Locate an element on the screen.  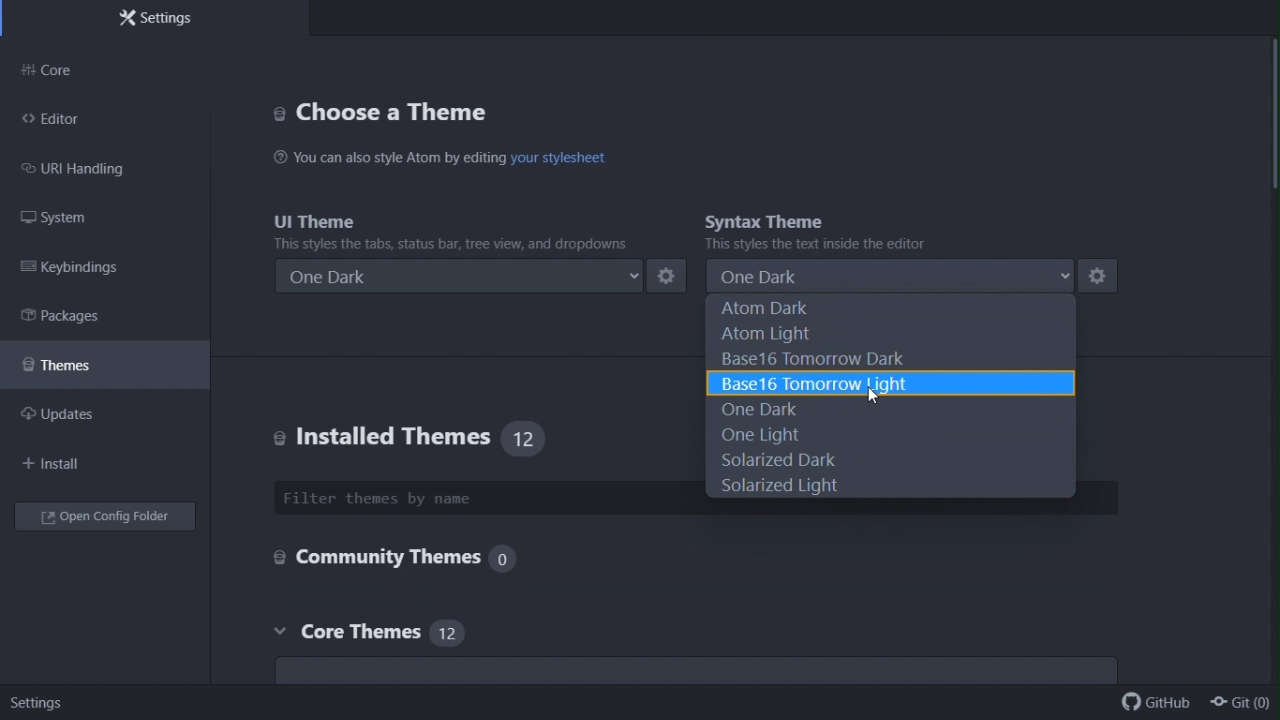
Core is located at coordinates (70, 70).